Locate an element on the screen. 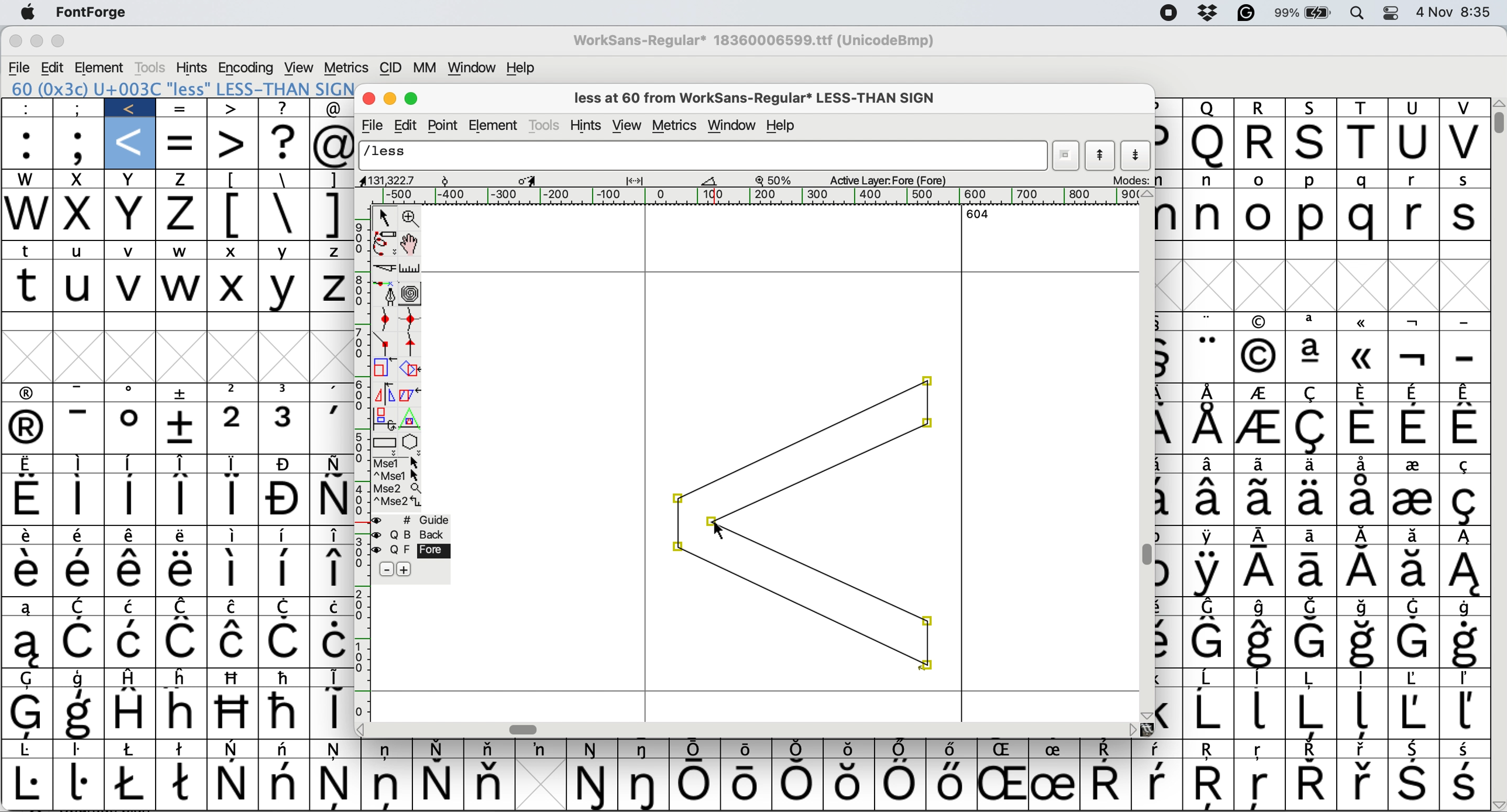 The width and height of the screenshot is (1507, 812). change whether spiro is active or not is located at coordinates (411, 292).